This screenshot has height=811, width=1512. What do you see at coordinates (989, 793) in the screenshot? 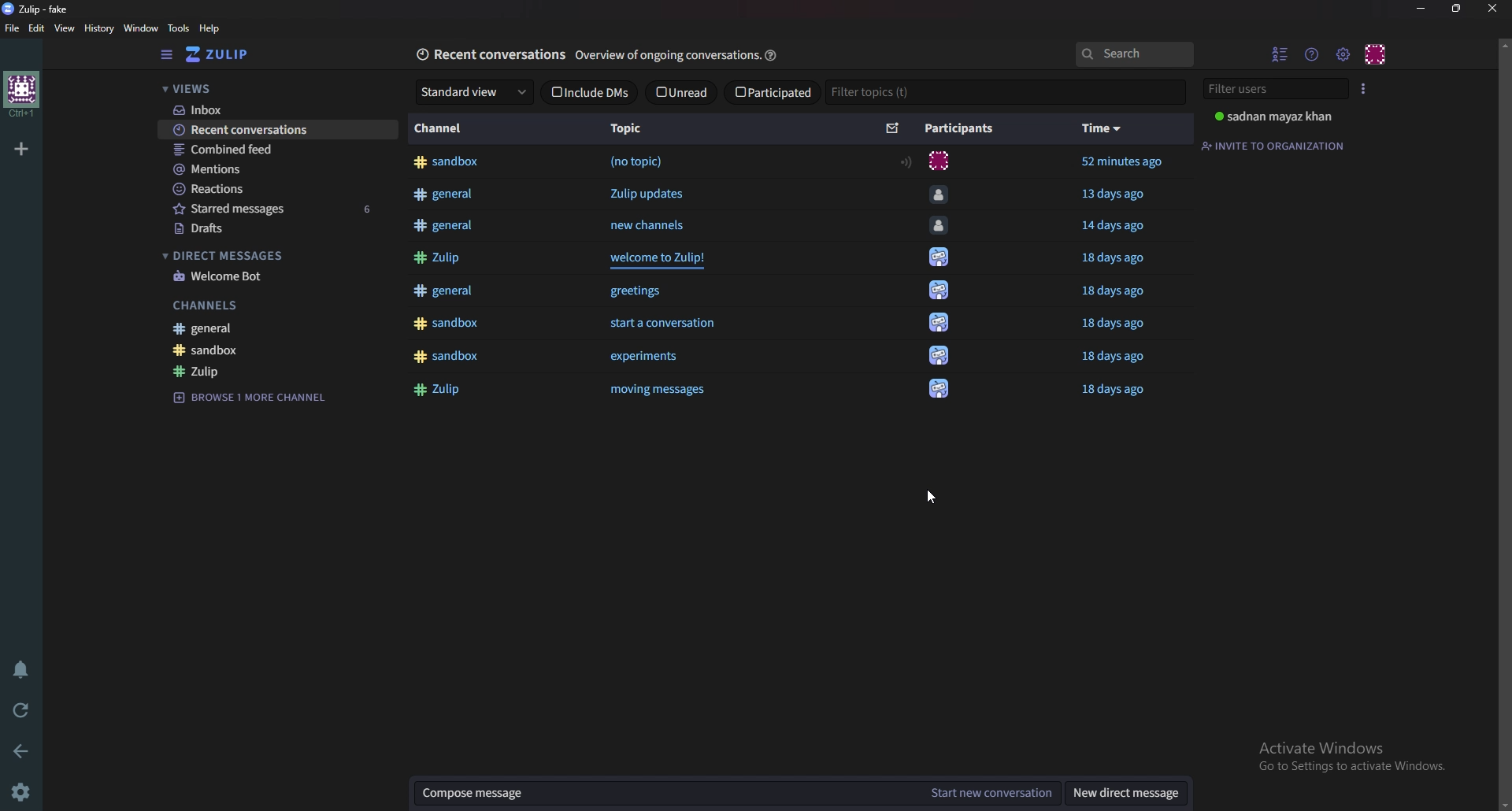
I see `Start new conversation` at bounding box center [989, 793].